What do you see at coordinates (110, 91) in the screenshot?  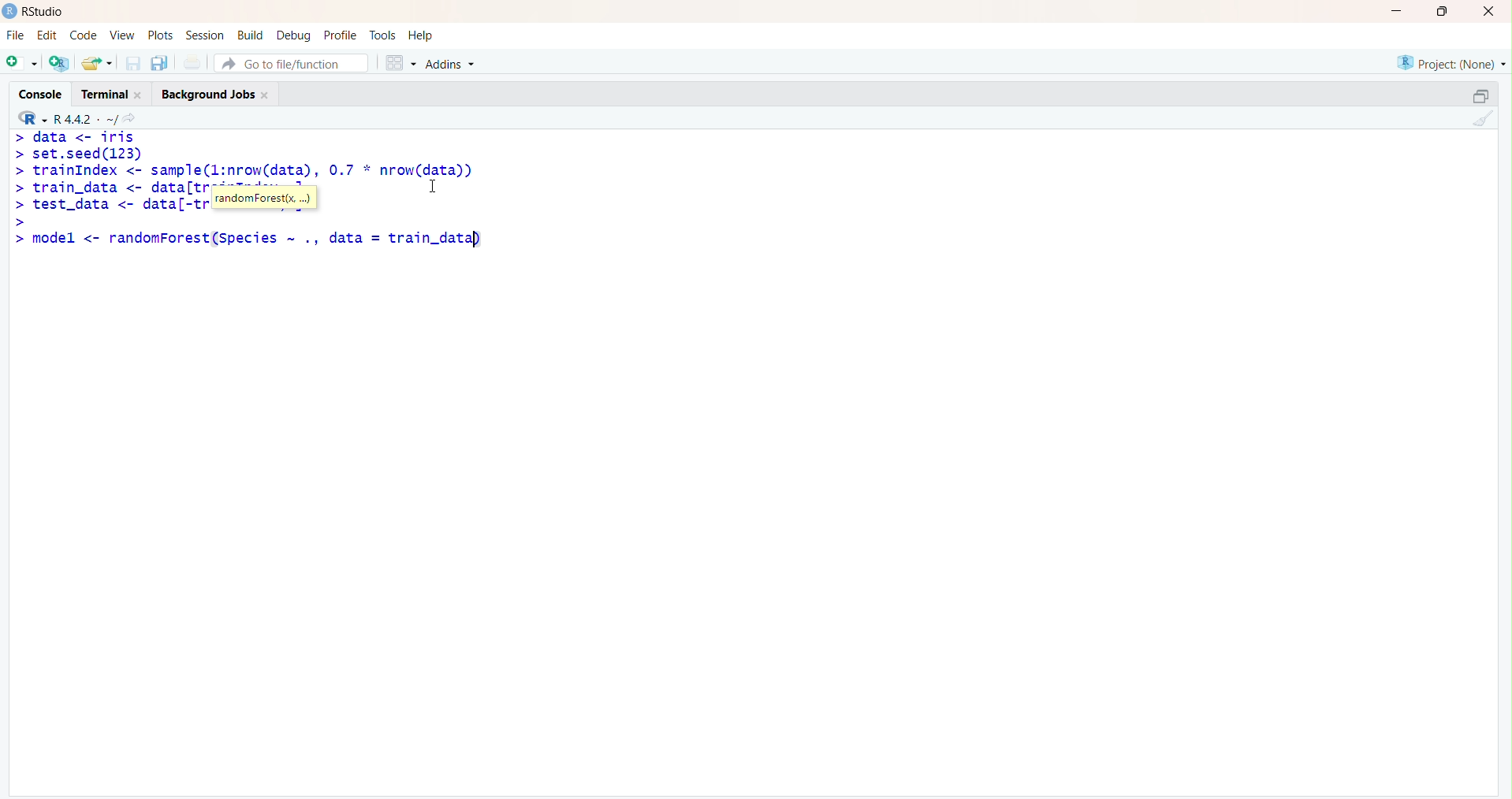 I see `Terminal` at bounding box center [110, 91].